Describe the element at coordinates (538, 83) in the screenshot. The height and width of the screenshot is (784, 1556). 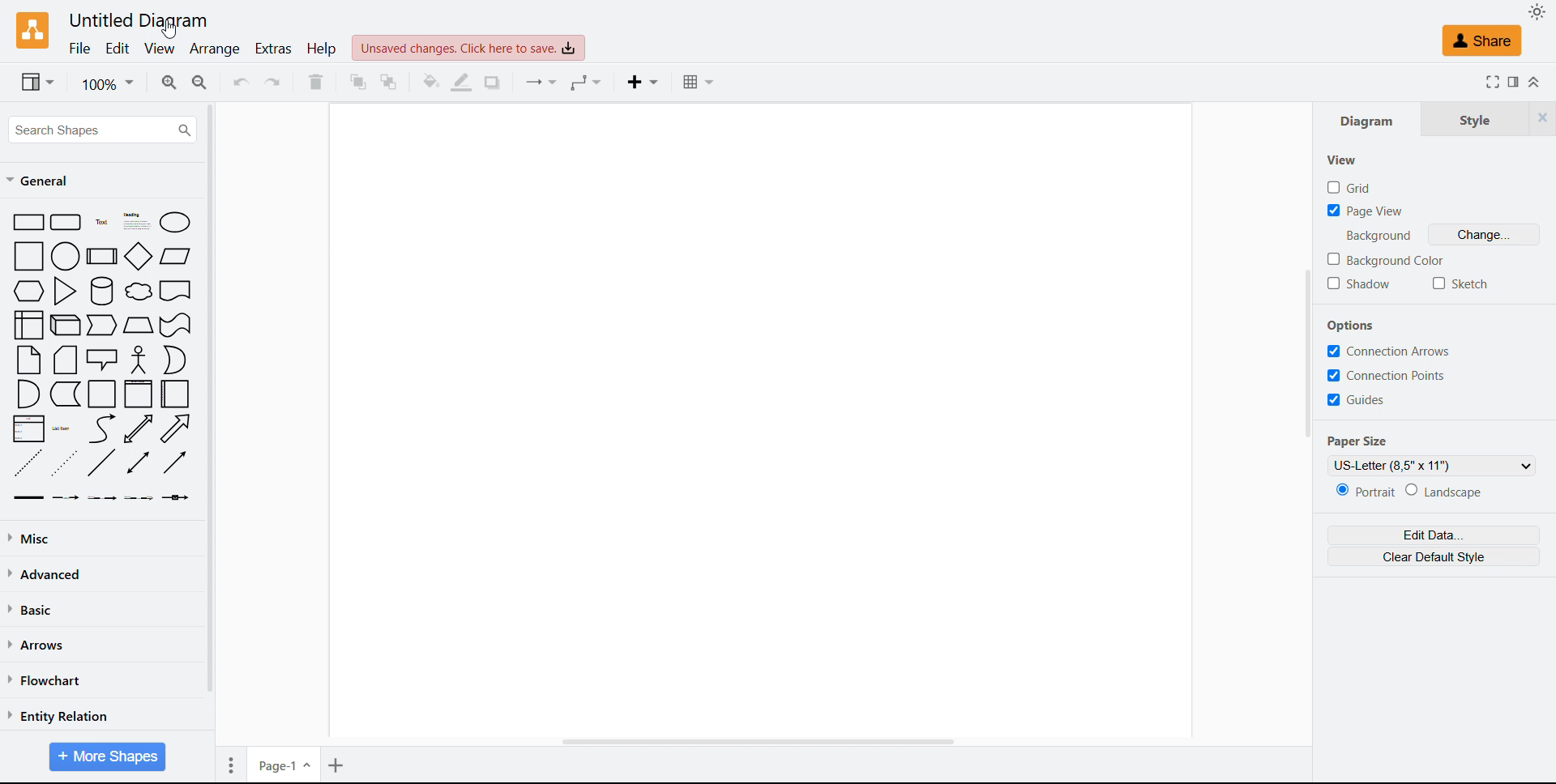
I see `Connectors ` at that location.